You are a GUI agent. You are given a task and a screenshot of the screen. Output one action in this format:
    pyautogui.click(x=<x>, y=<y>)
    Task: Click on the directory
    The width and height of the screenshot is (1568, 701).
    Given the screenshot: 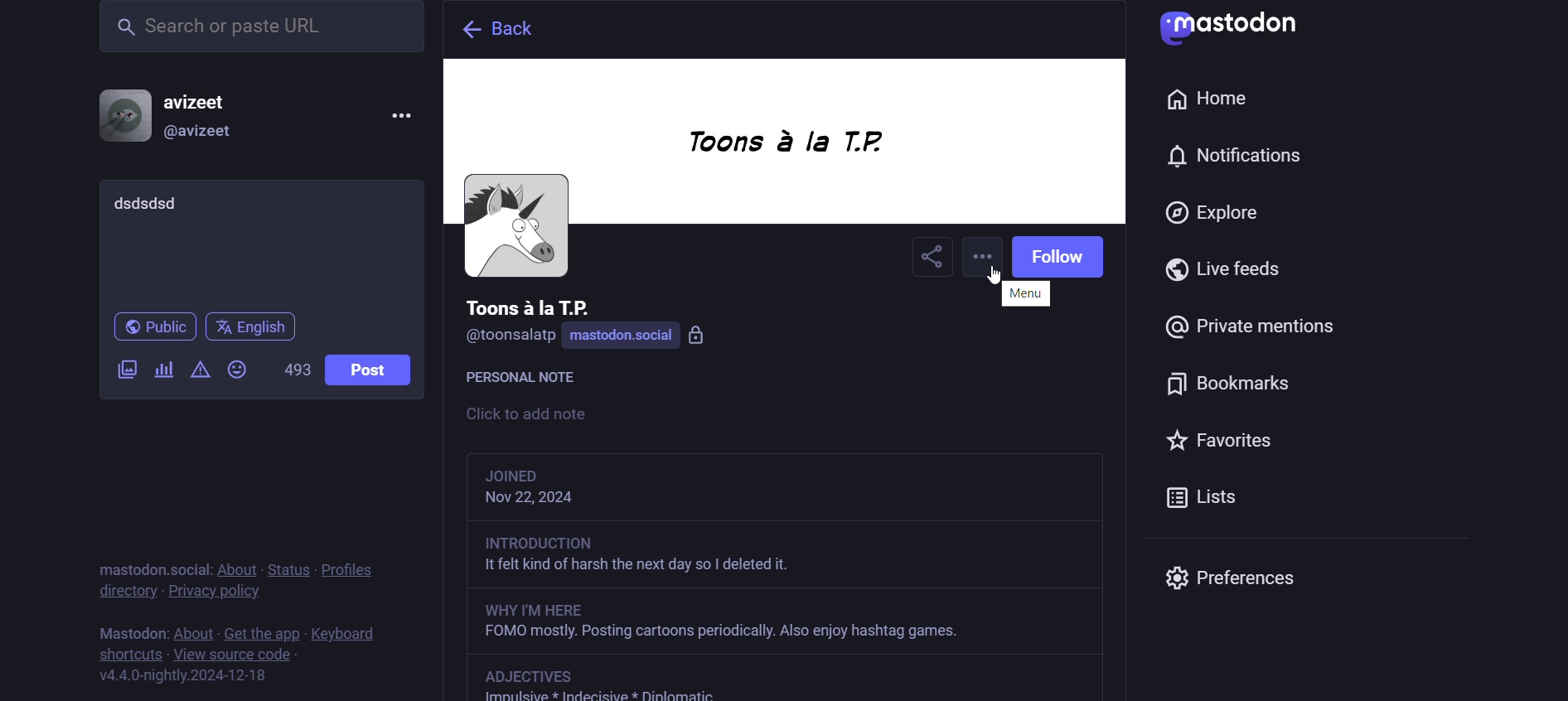 What is the action you would take?
    pyautogui.click(x=122, y=594)
    